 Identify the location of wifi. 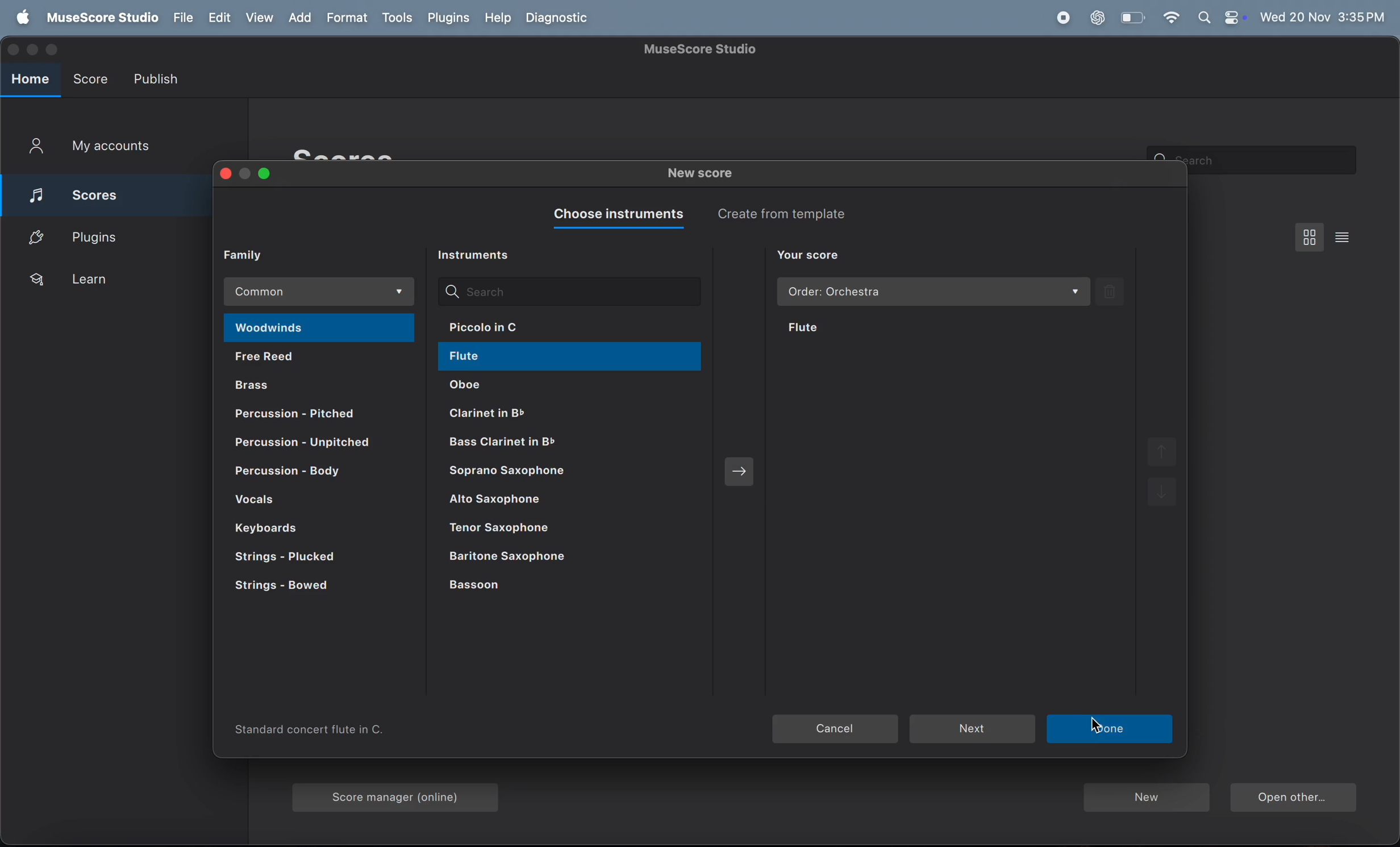
(1170, 18).